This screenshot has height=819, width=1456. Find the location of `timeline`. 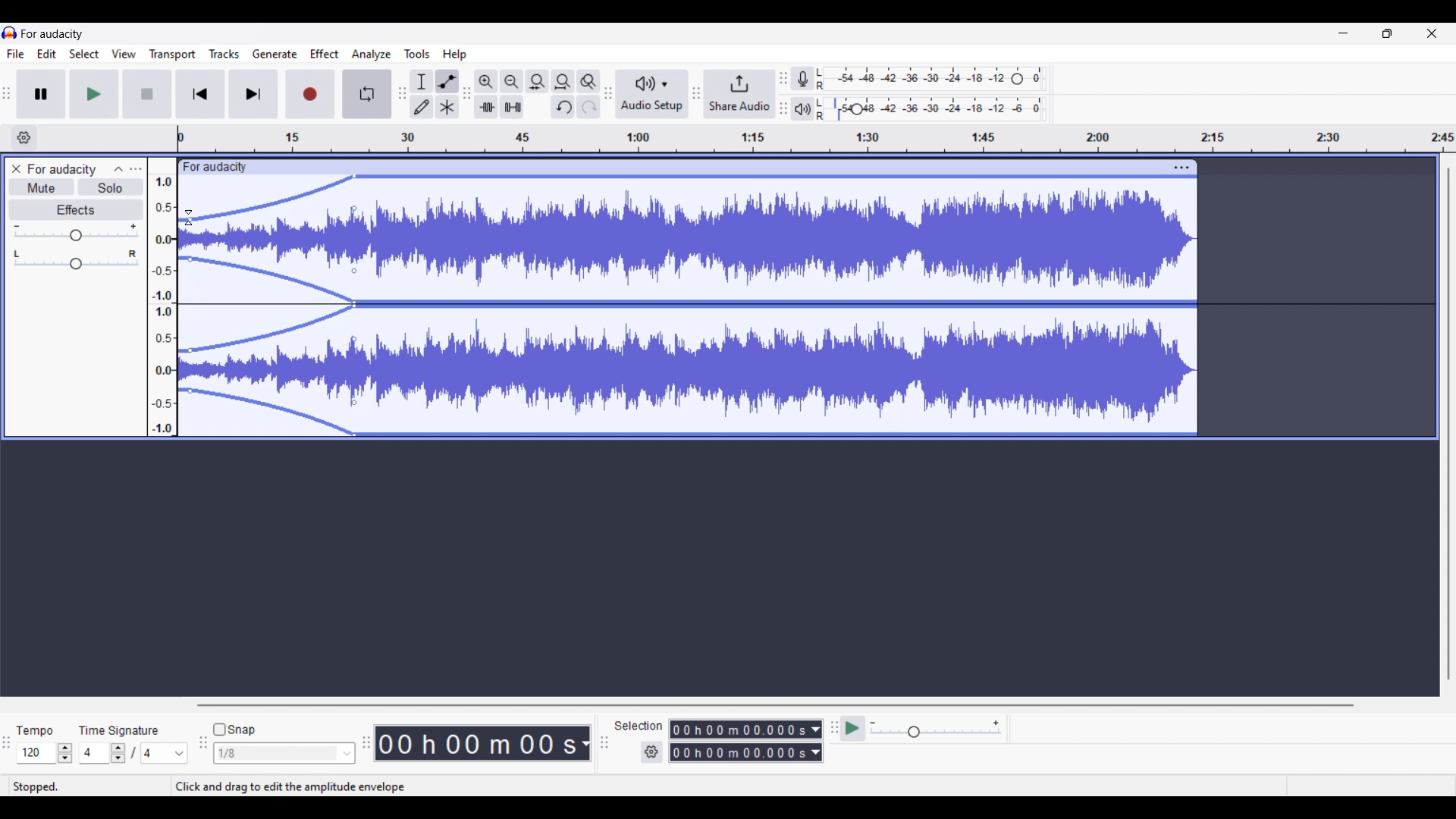

timeline is located at coordinates (816, 139).